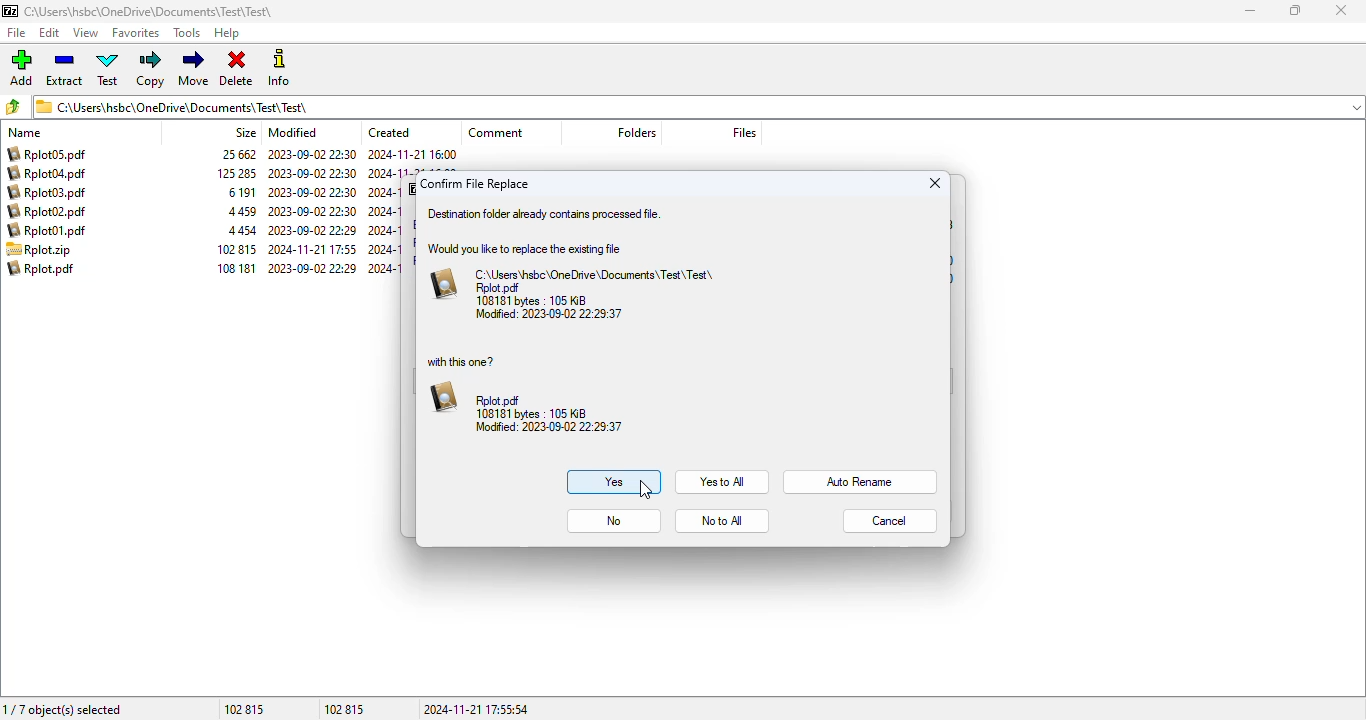 This screenshot has height=720, width=1366. What do you see at coordinates (9, 11) in the screenshot?
I see `logo` at bounding box center [9, 11].